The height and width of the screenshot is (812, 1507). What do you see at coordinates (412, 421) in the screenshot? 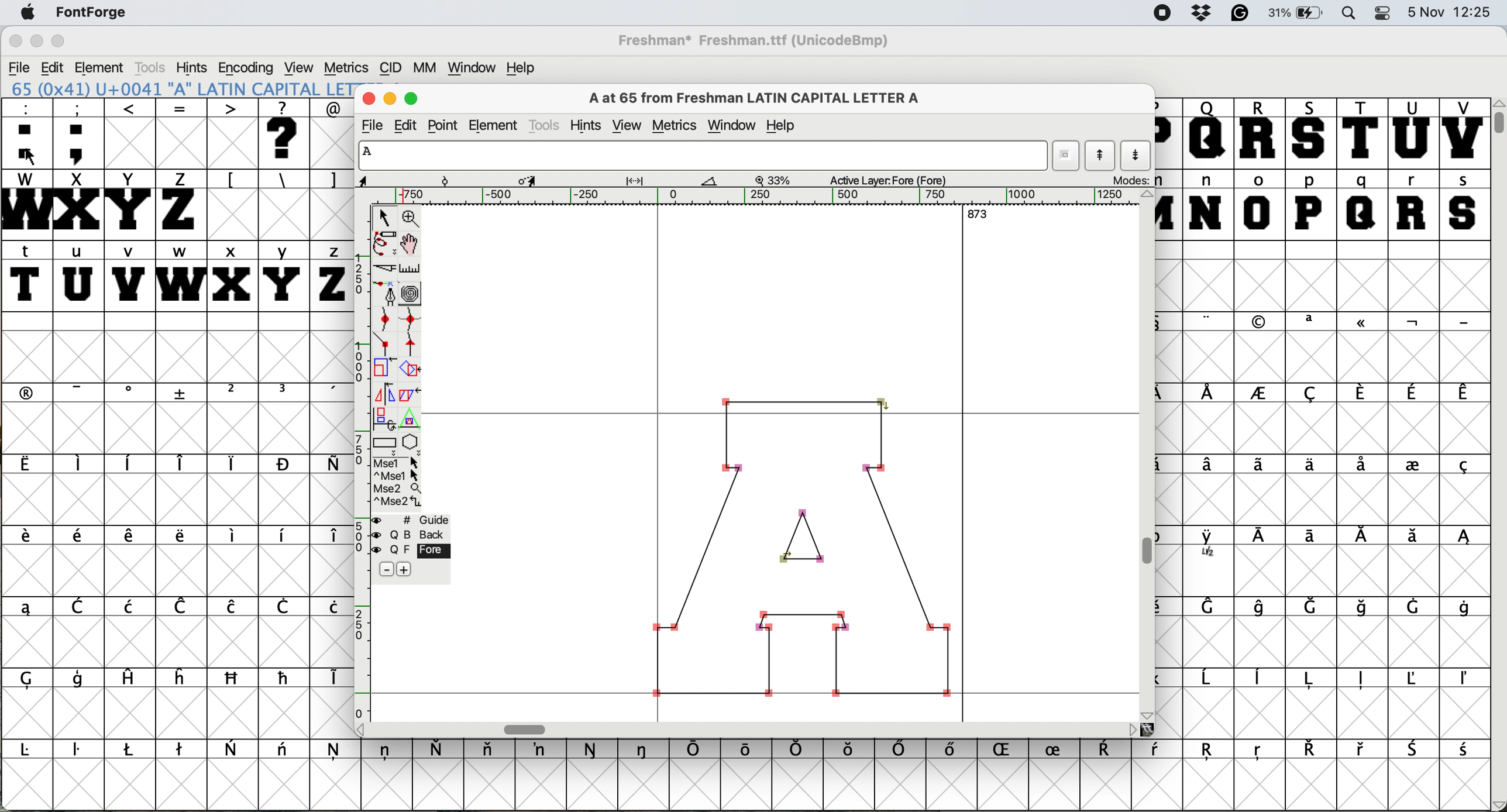
I see `perform a perspective transformation on selection` at bounding box center [412, 421].